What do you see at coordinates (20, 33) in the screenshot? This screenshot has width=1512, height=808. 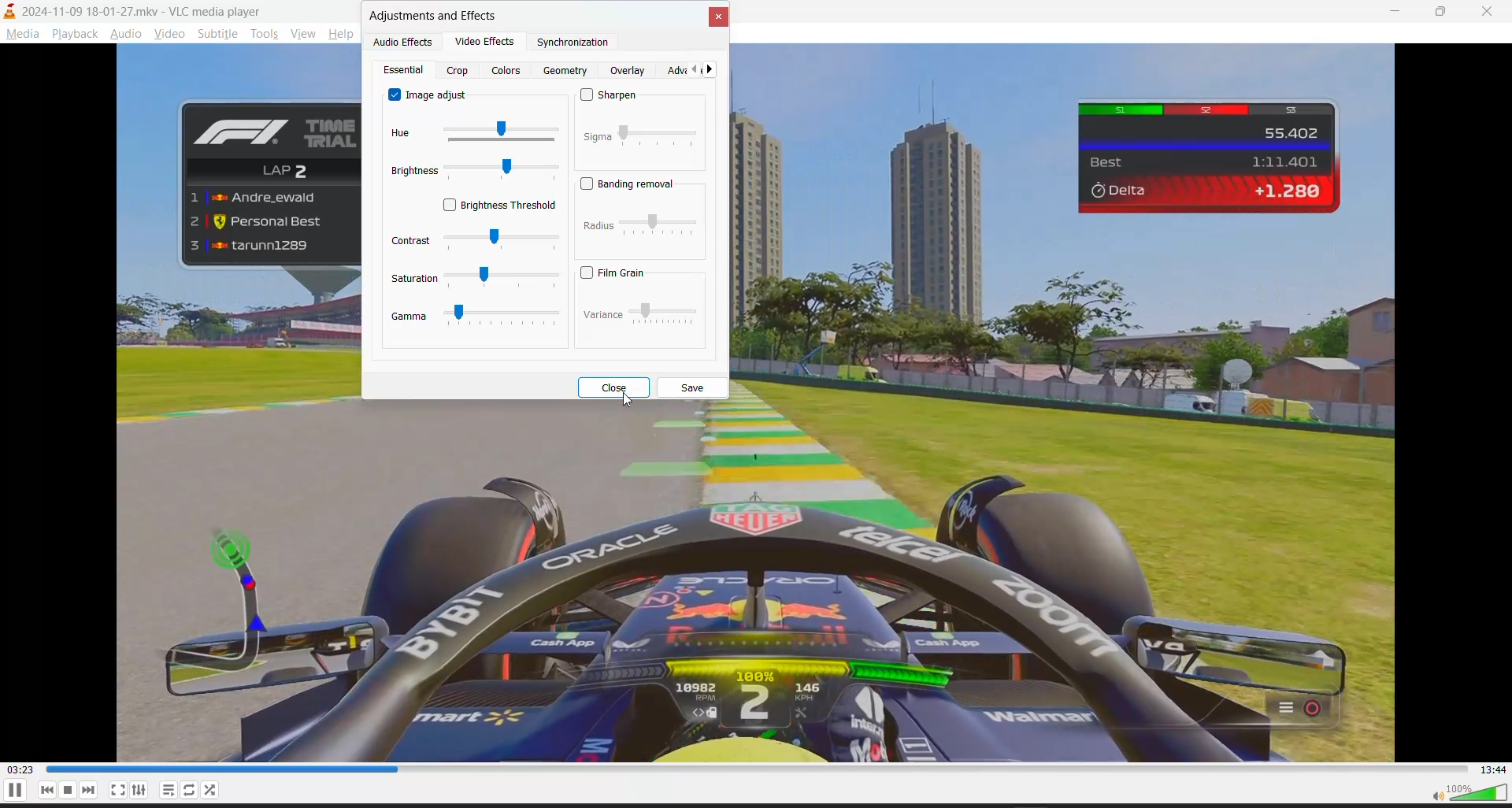 I see `media` at bounding box center [20, 33].